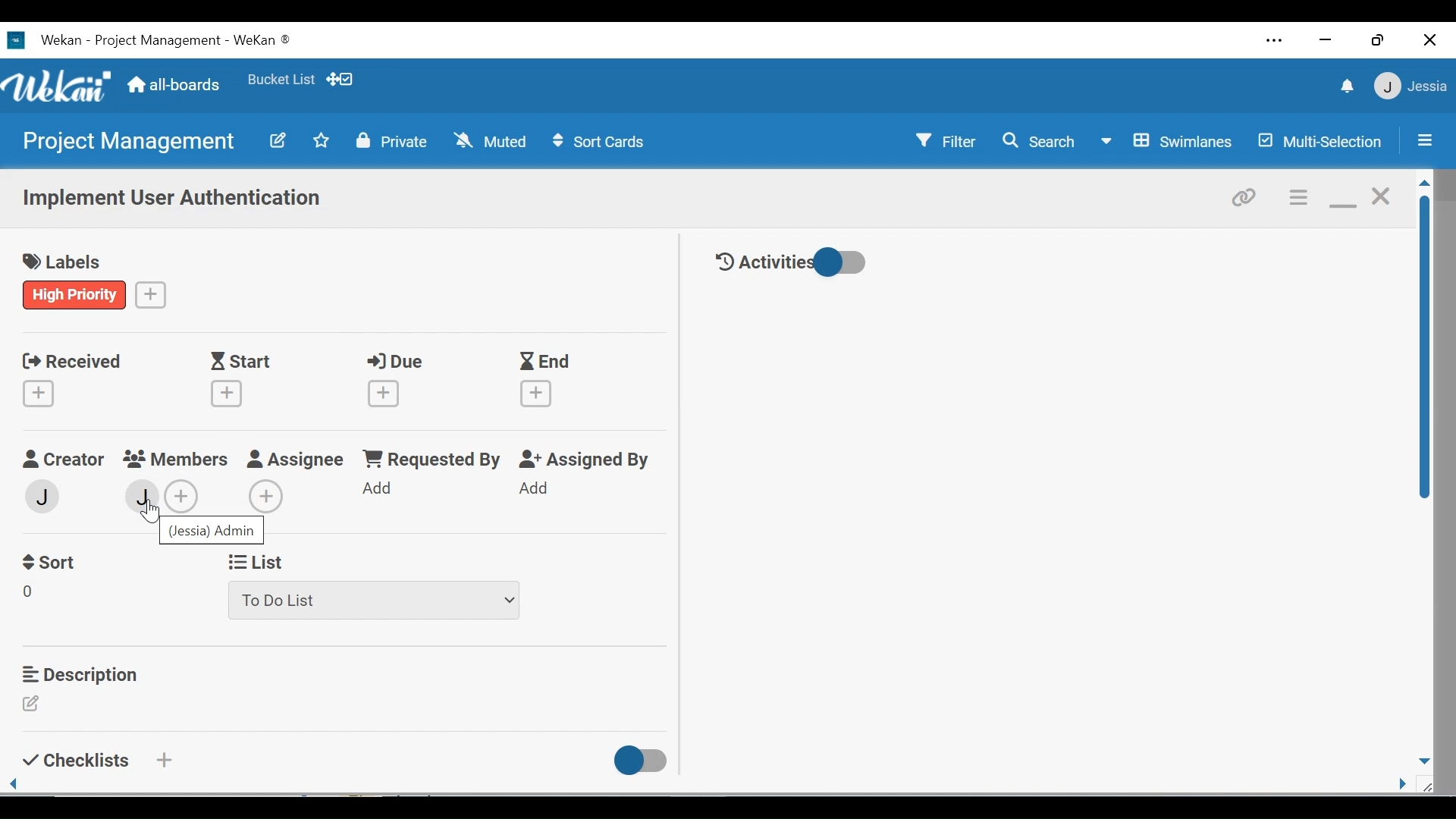  I want to click on  Filter, so click(940, 141).